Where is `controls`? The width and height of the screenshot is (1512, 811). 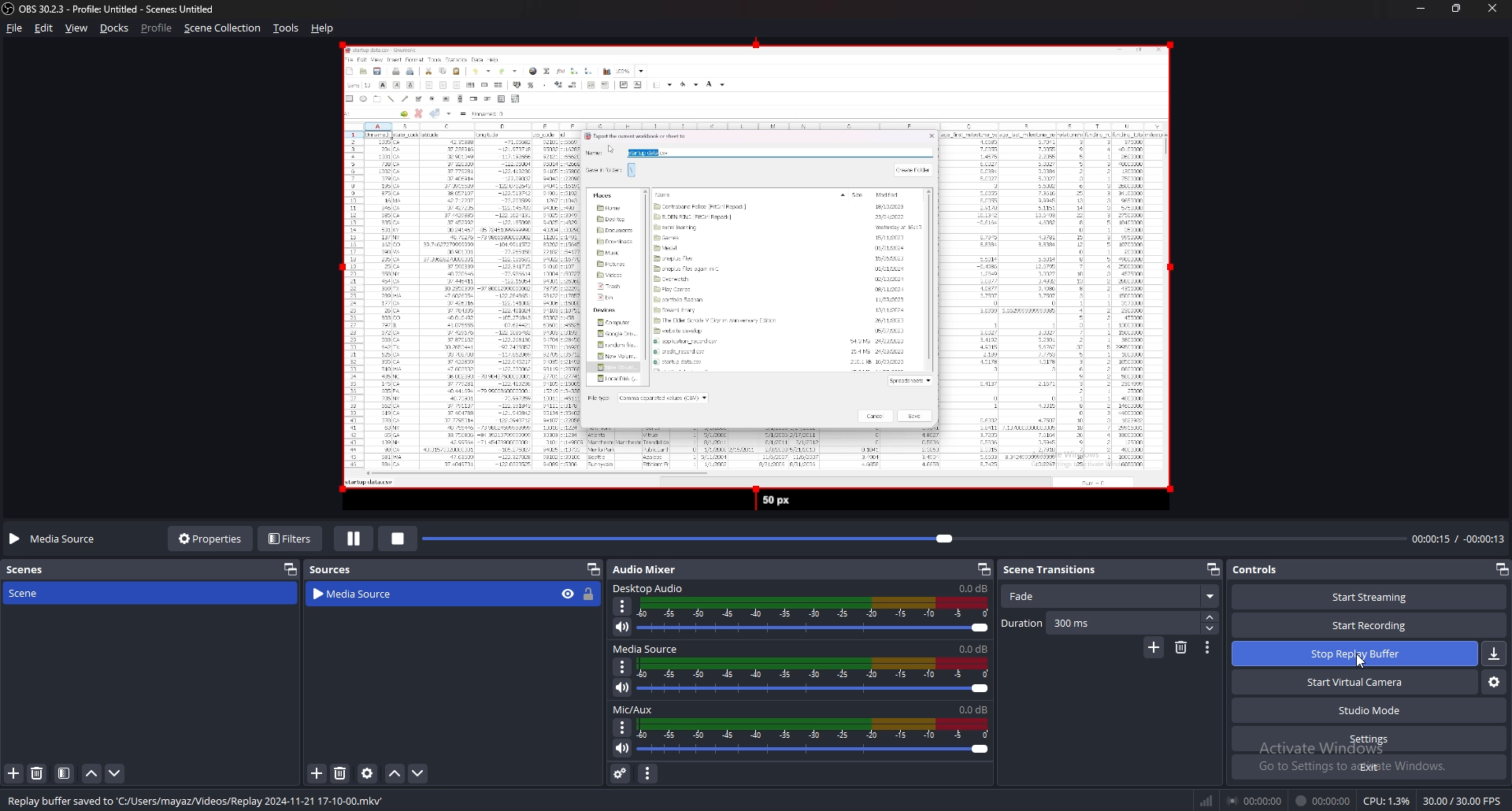
controls is located at coordinates (1260, 569).